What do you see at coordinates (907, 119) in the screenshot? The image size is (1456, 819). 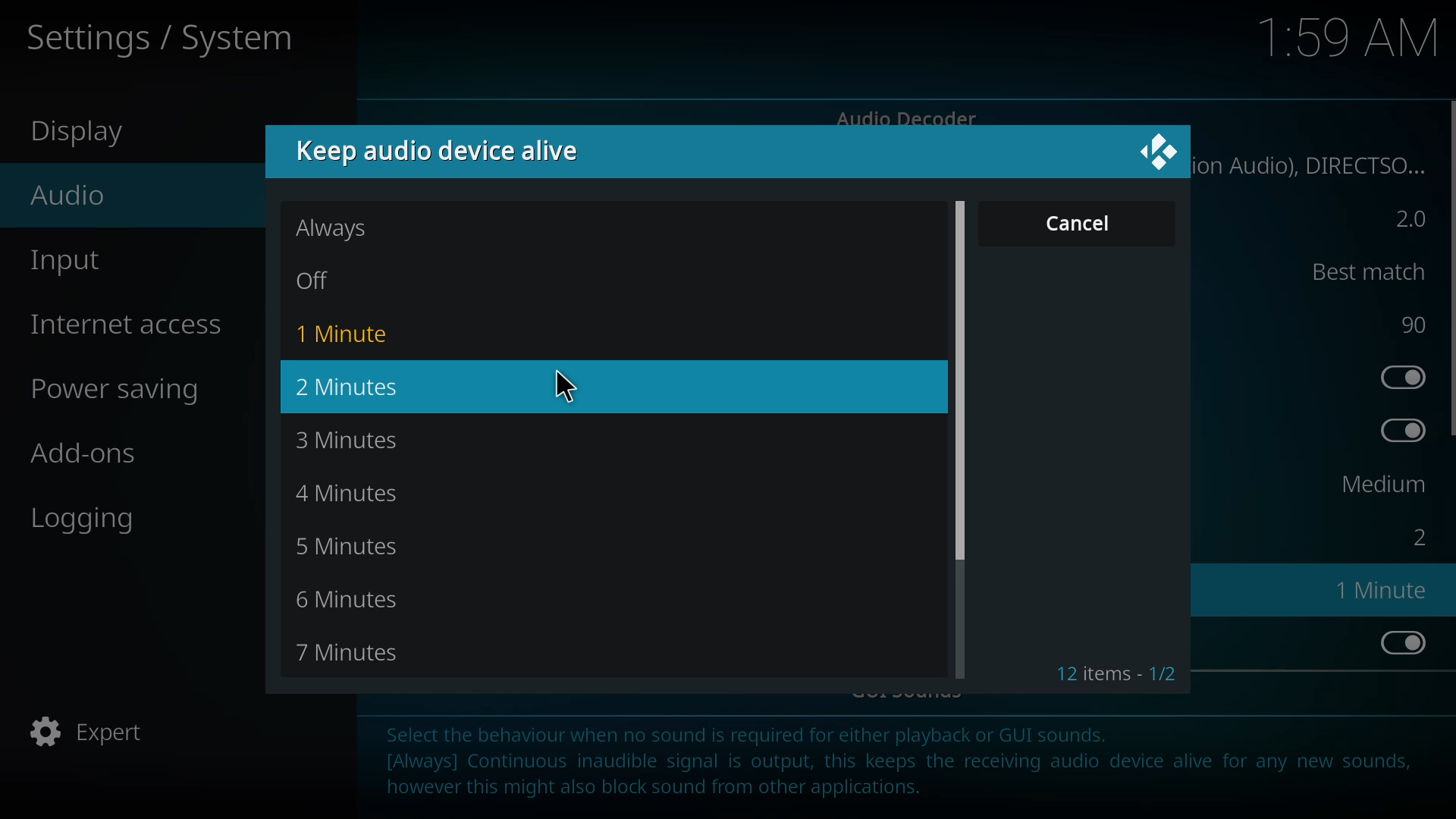 I see `audio decoder` at bounding box center [907, 119].